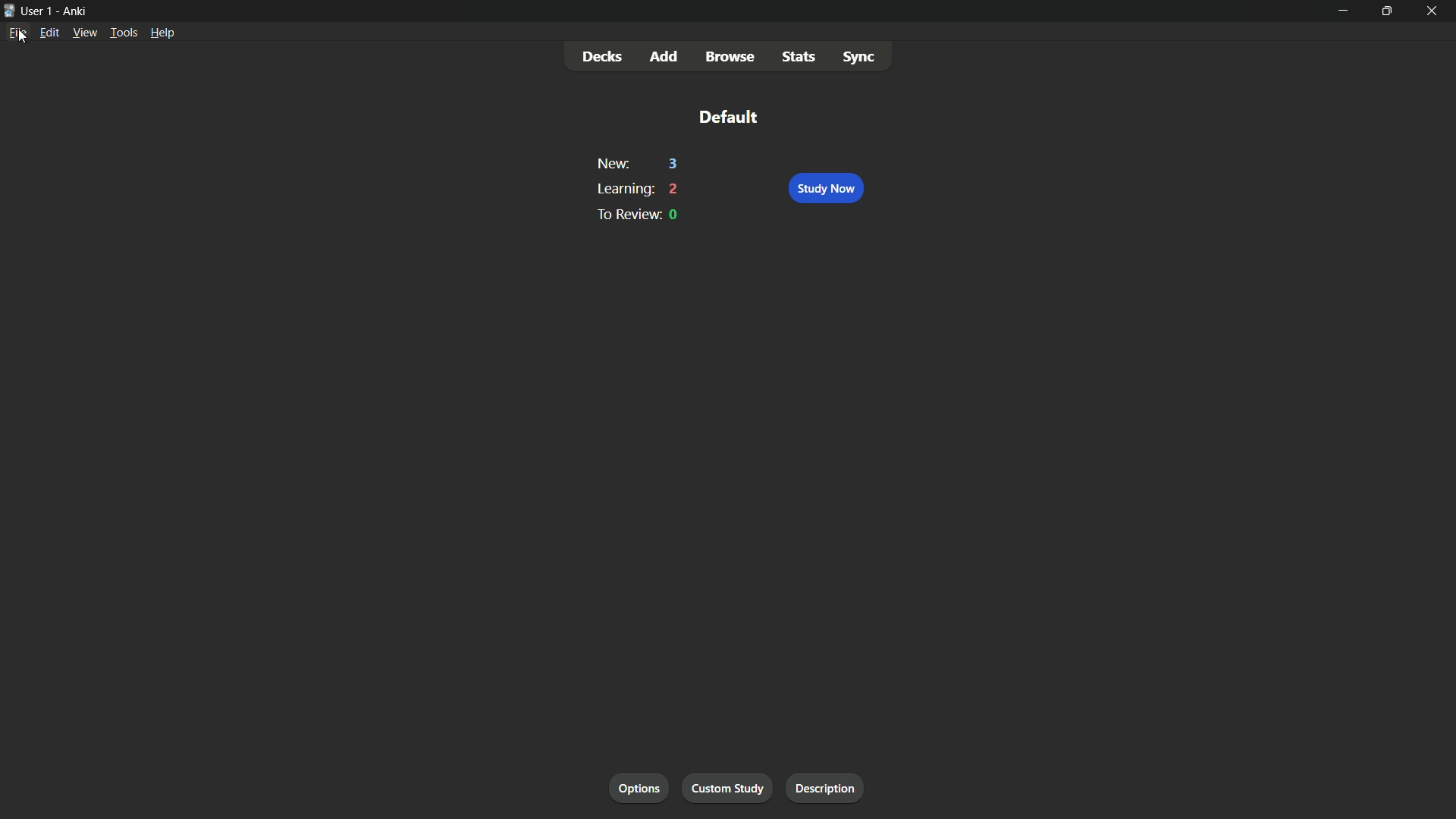 This screenshot has height=819, width=1456. What do you see at coordinates (612, 165) in the screenshot?
I see `new` at bounding box center [612, 165].